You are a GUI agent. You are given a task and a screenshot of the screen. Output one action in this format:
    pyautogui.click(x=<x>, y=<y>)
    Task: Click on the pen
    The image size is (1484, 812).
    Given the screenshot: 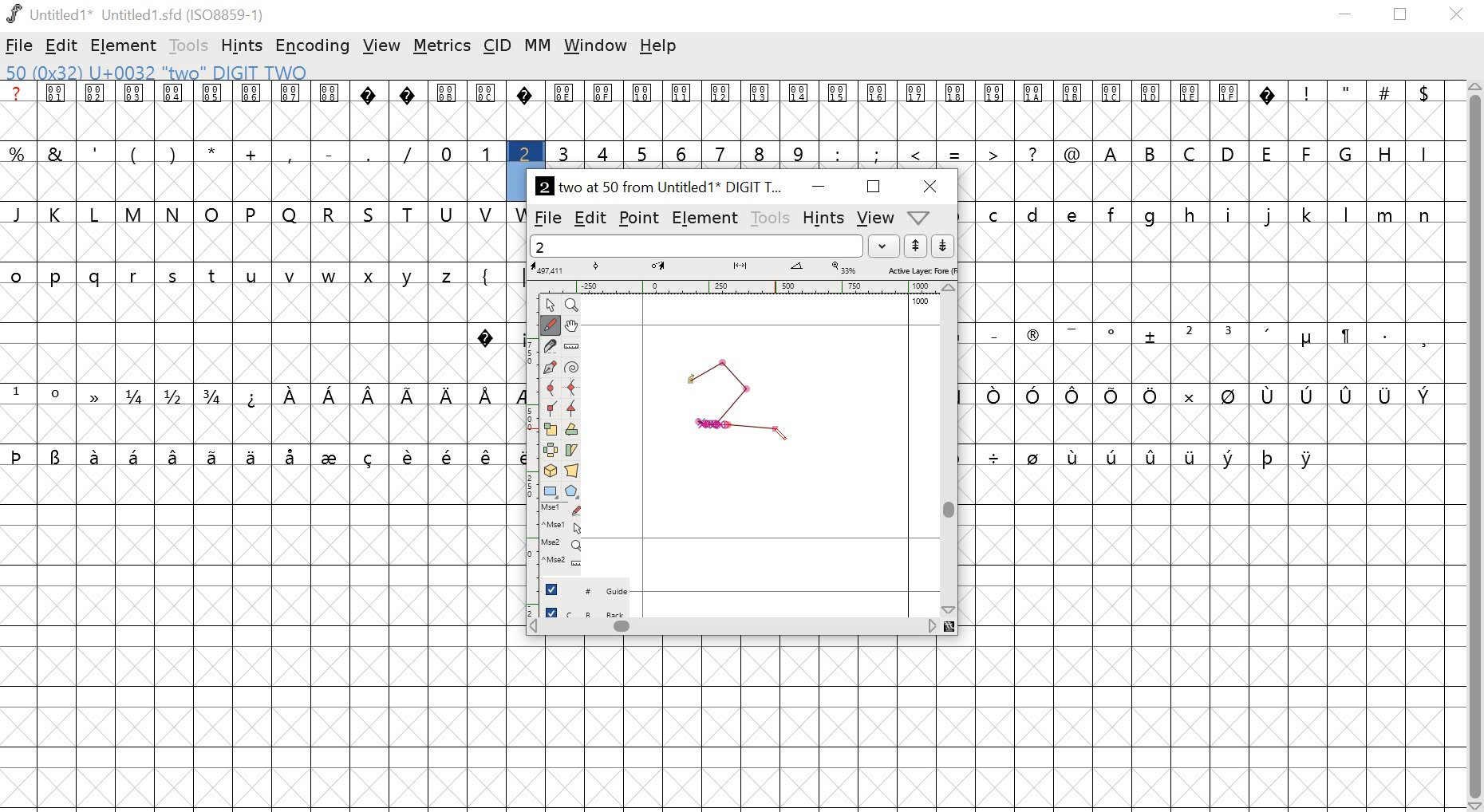 What is the action you would take?
    pyautogui.click(x=551, y=368)
    